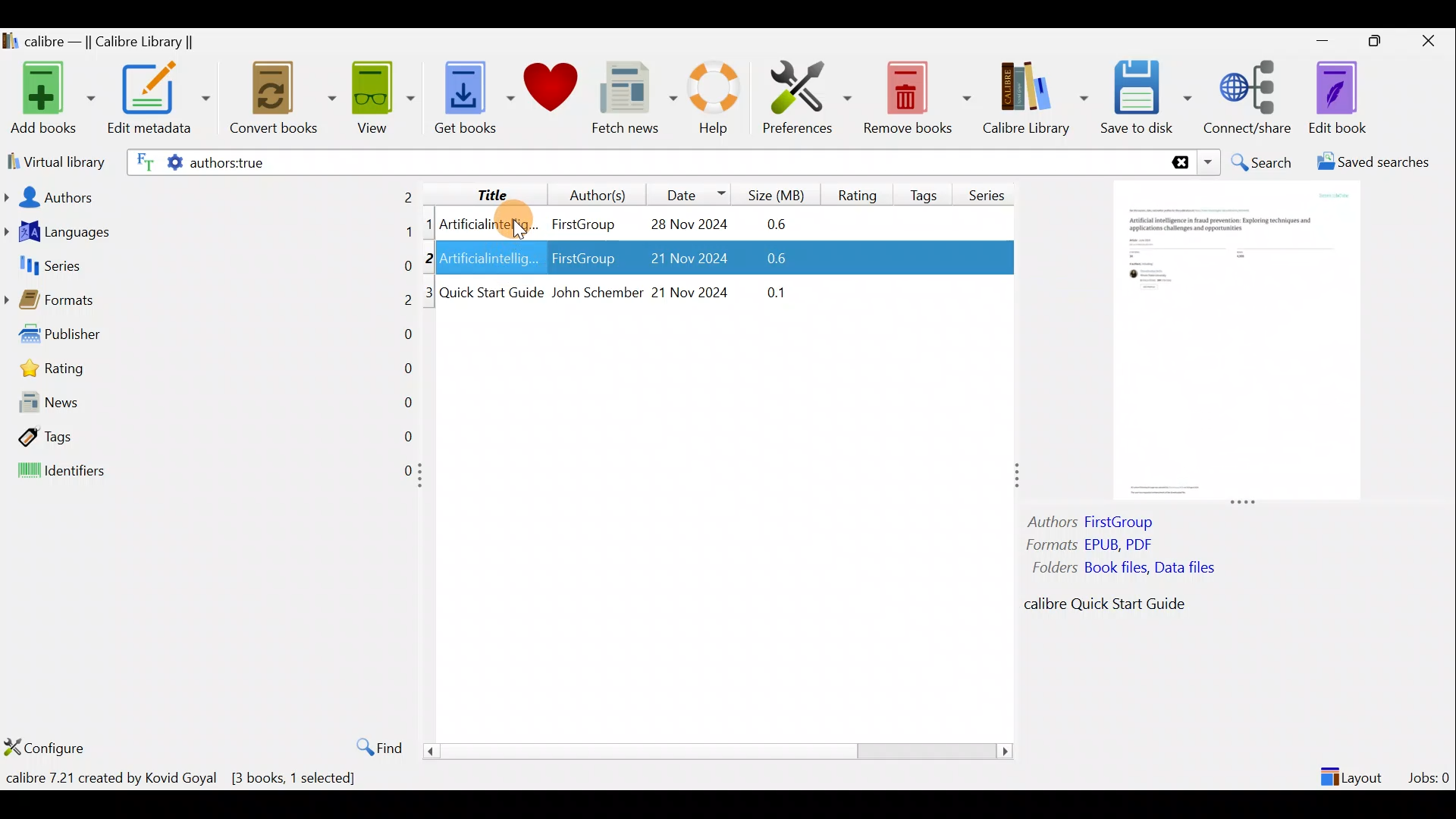 This screenshot has width=1456, height=819. What do you see at coordinates (1232, 343) in the screenshot?
I see `Preview` at bounding box center [1232, 343].